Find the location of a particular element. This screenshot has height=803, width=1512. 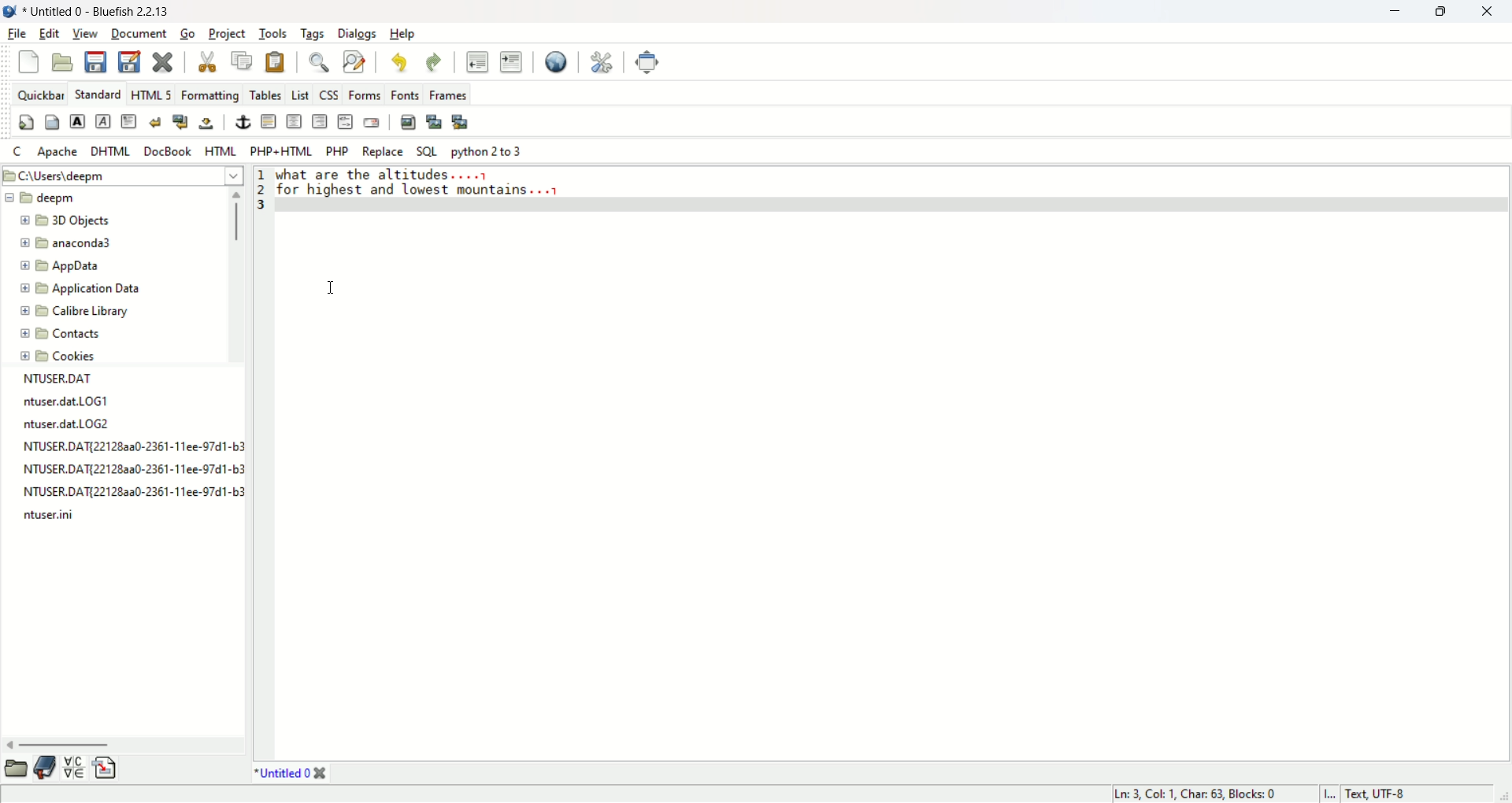

preview in browser is located at coordinates (556, 61).